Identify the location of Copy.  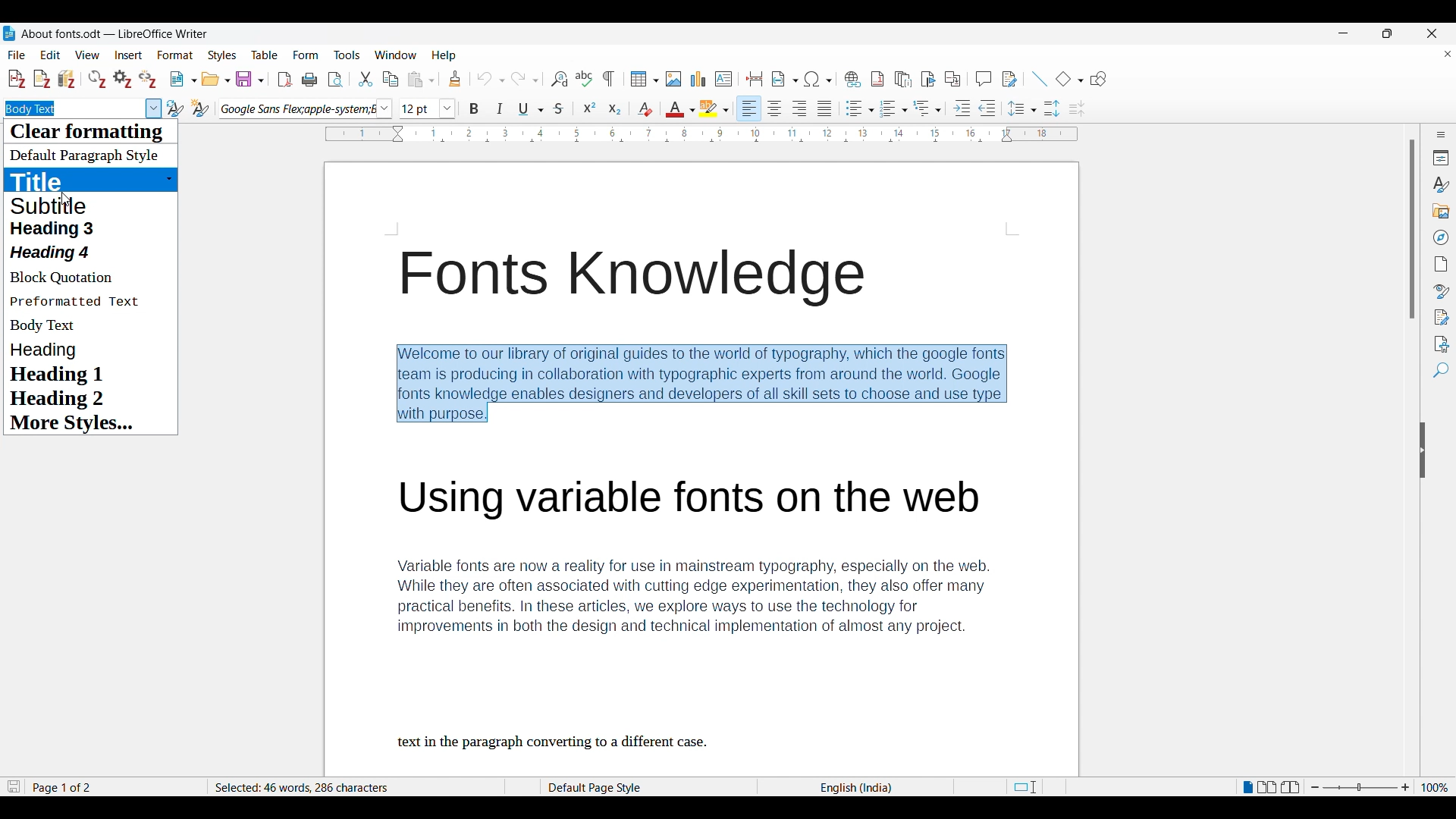
(391, 80).